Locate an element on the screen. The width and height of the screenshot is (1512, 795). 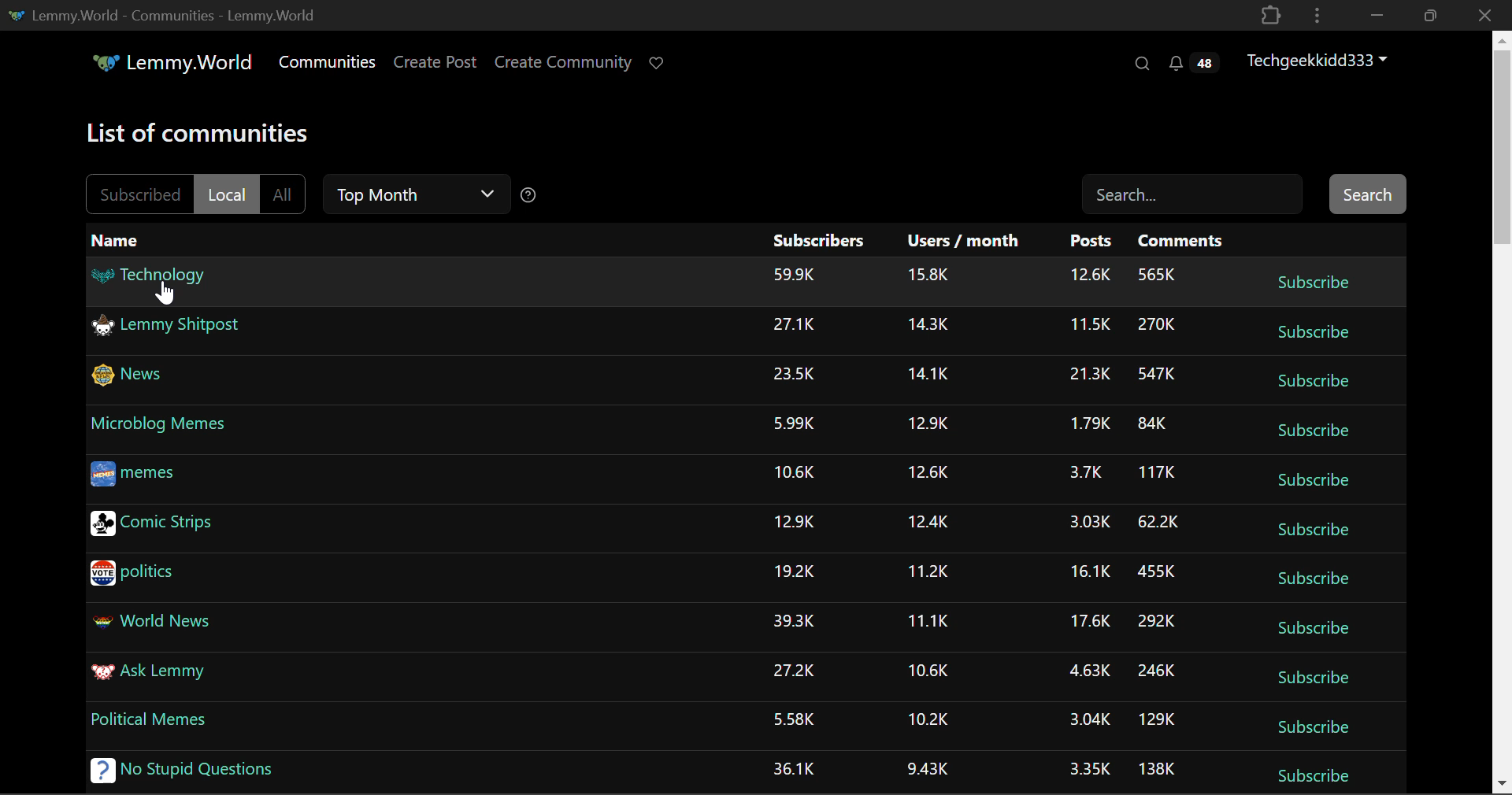
Subscribe is located at coordinates (1312, 432).